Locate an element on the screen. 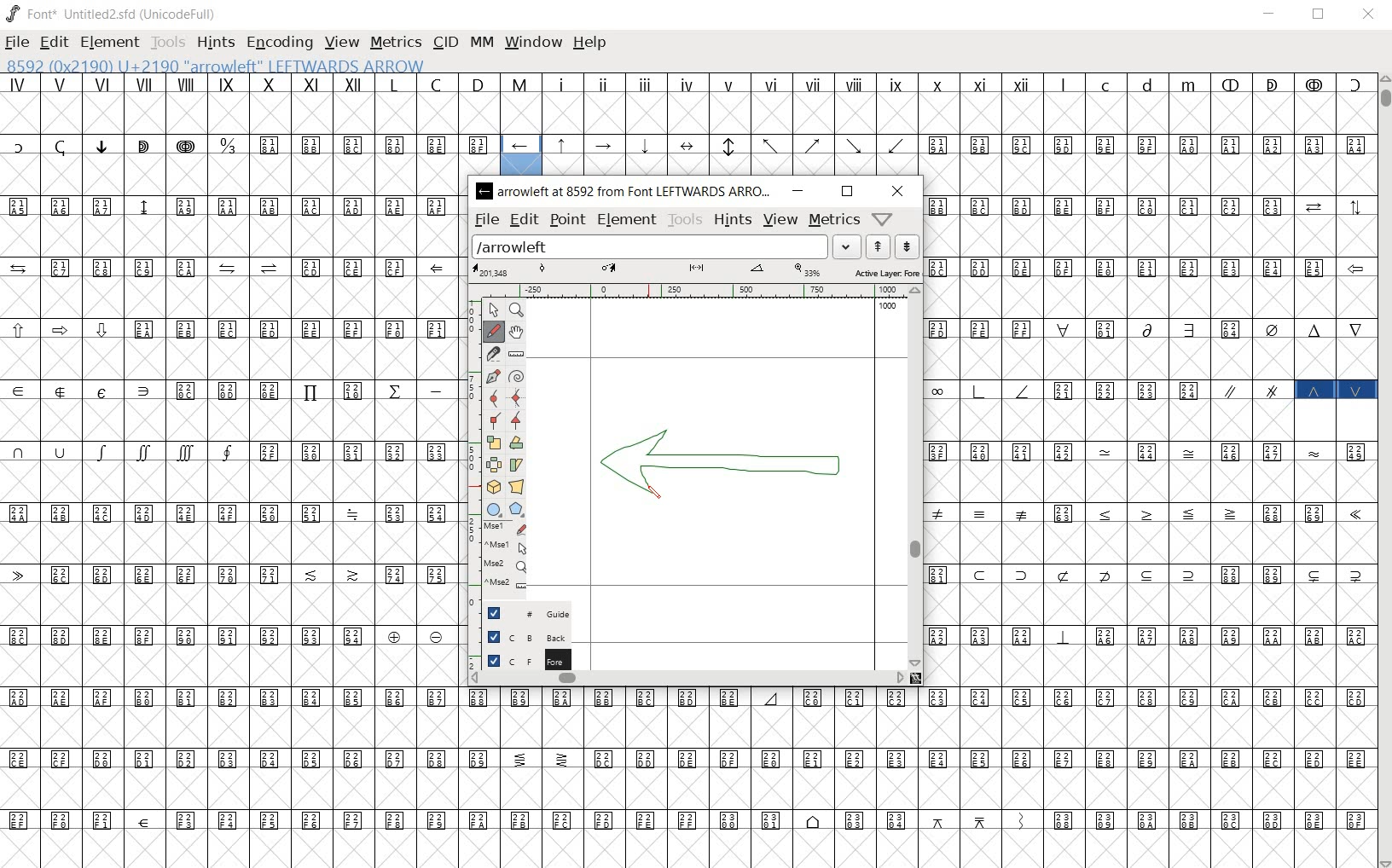 The height and width of the screenshot is (868, 1392). active layer is located at coordinates (696, 271).